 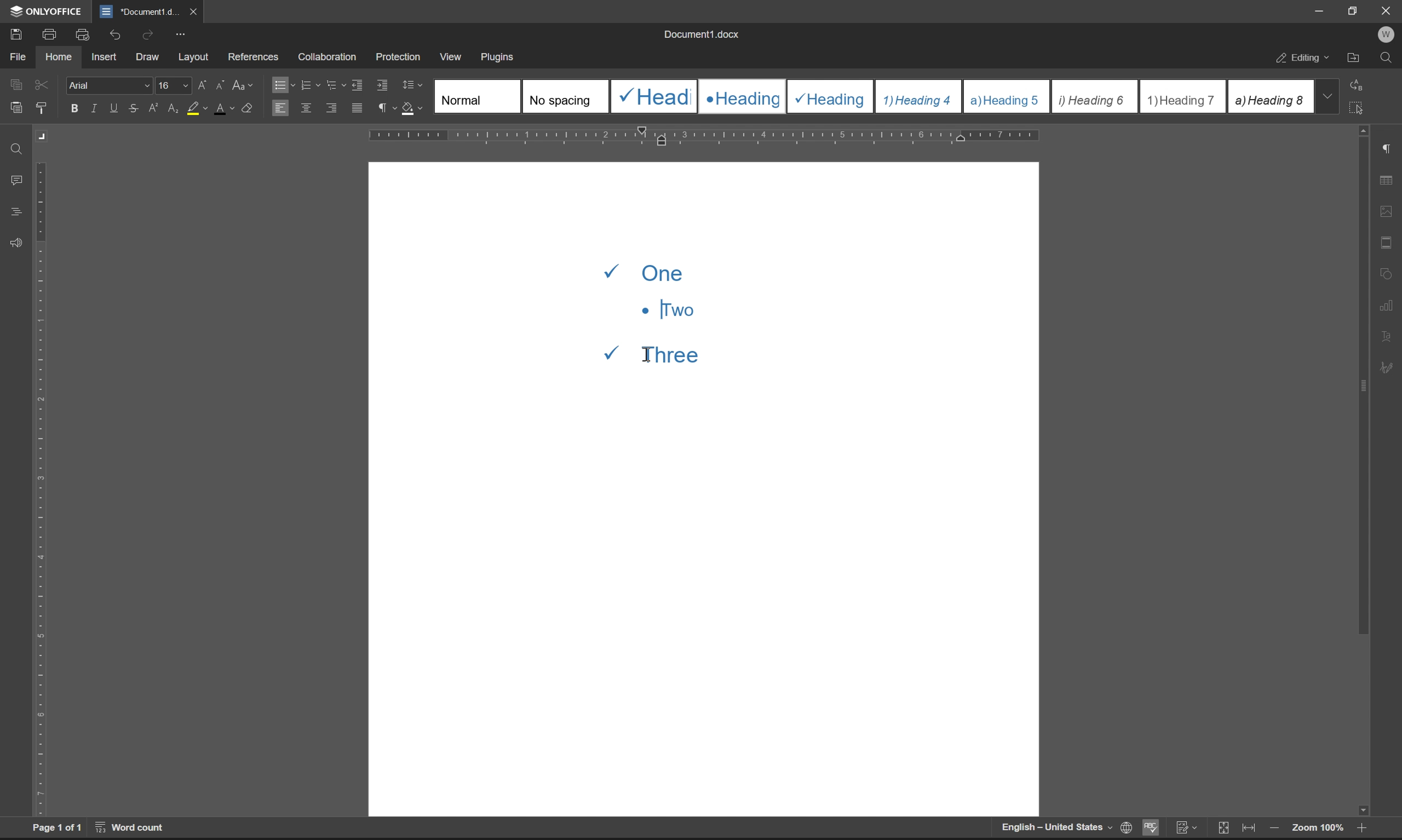 I want to click on document1, so click(x=139, y=12).